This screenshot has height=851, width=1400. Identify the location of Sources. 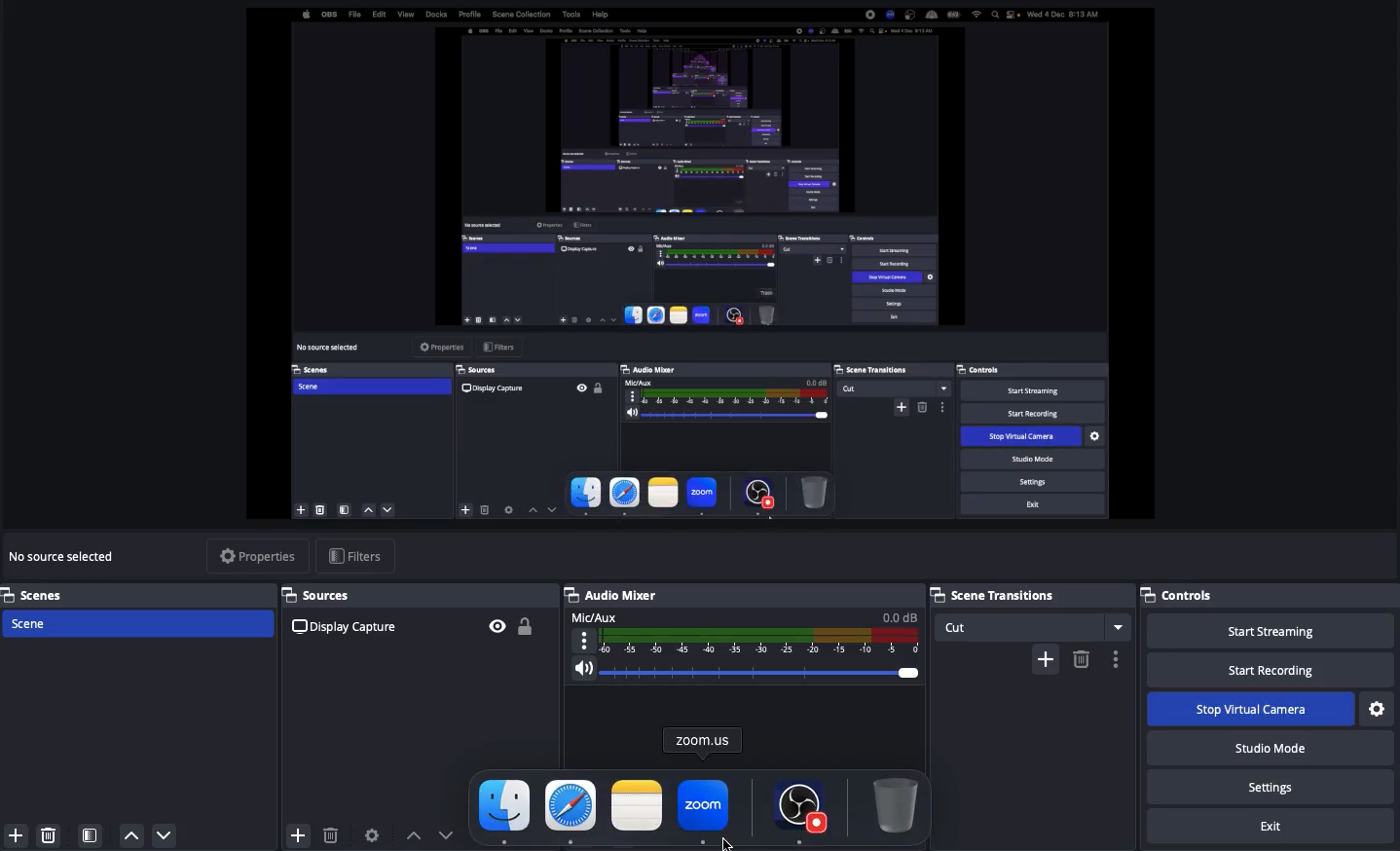
(328, 595).